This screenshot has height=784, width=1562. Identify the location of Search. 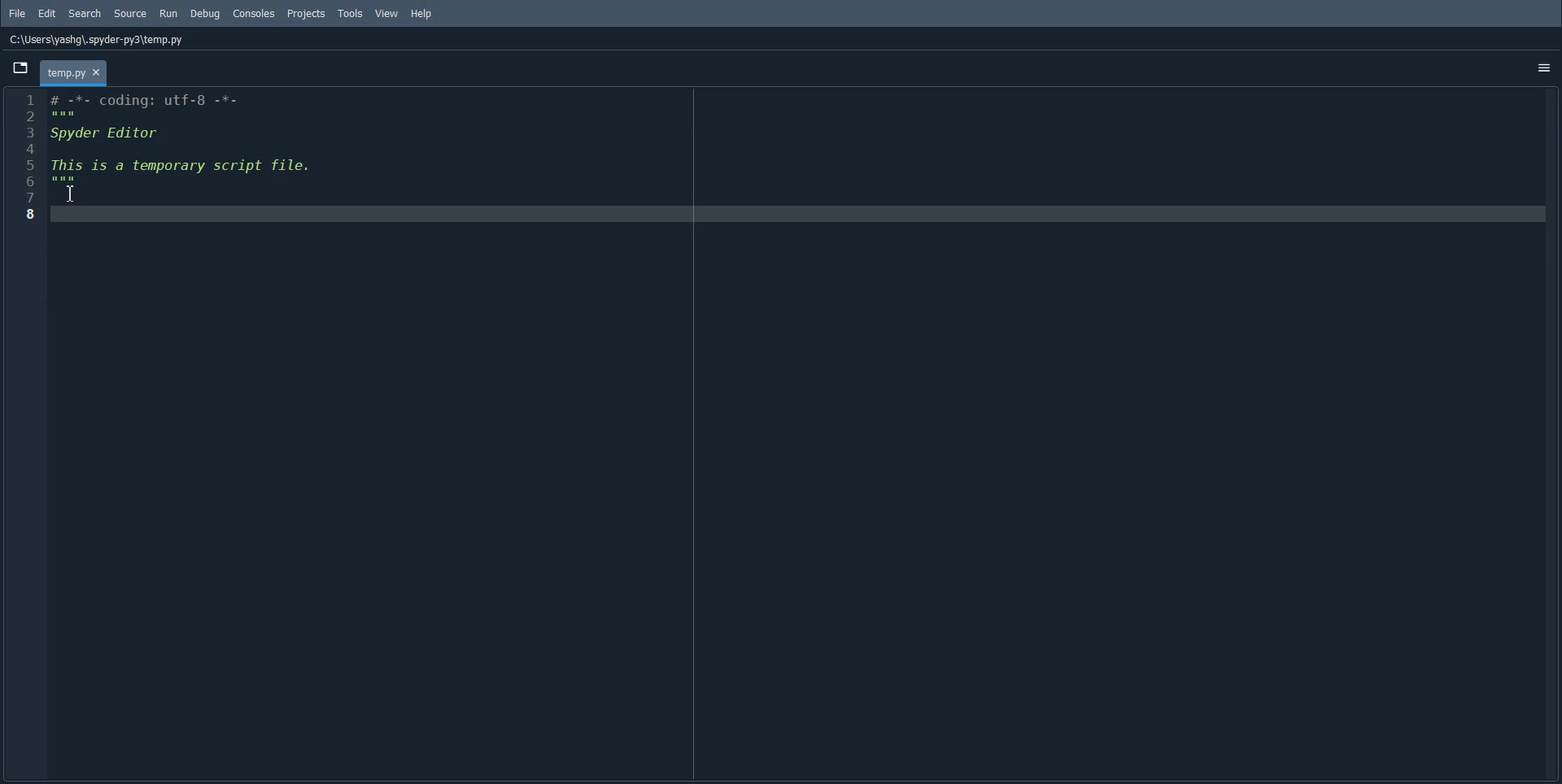
(86, 14).